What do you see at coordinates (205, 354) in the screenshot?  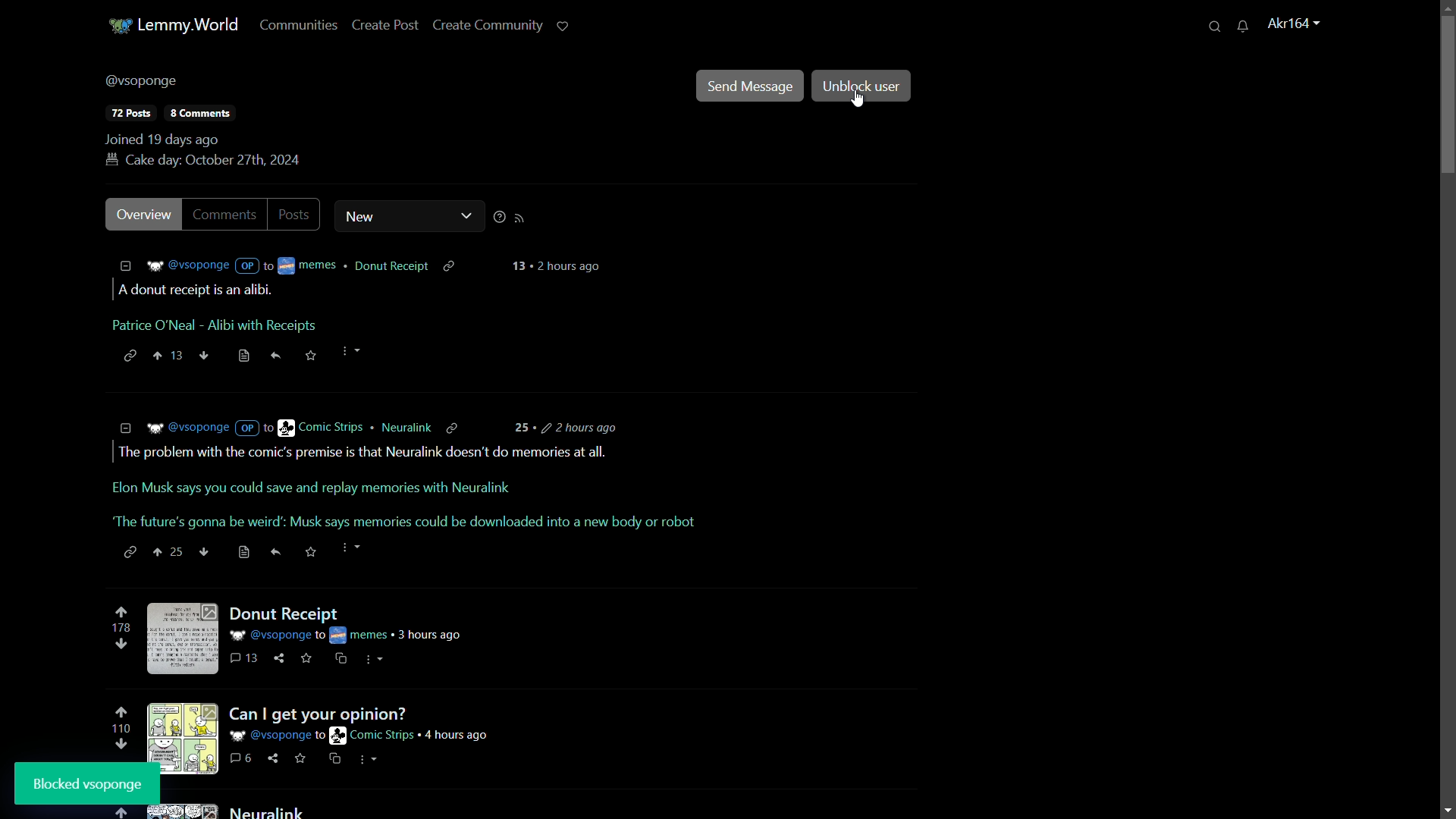 I see `down` at bounding box center [205, 354].